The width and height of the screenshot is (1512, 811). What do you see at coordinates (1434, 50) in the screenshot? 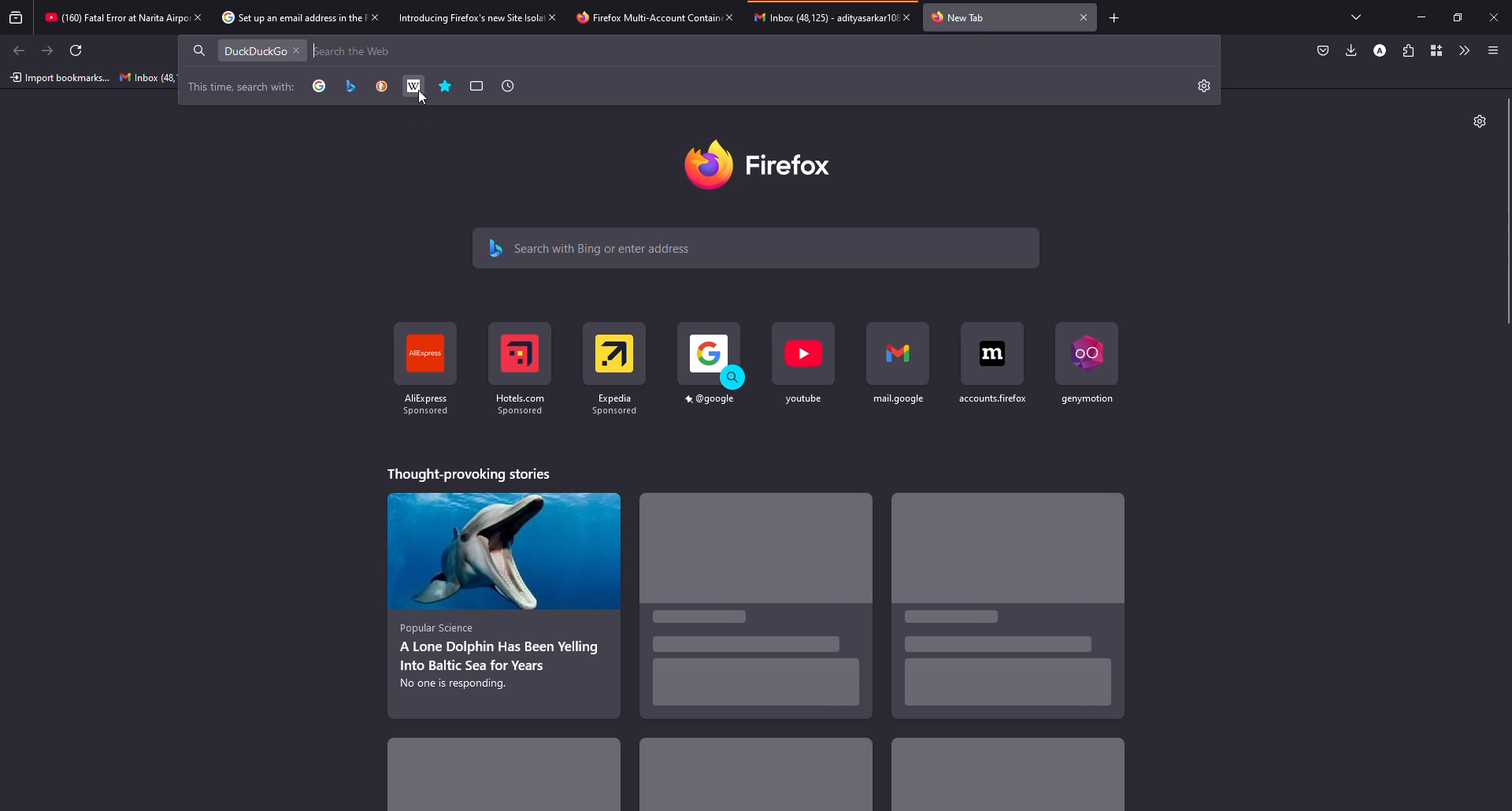
I see `container` at bounding box center [1434, 50].